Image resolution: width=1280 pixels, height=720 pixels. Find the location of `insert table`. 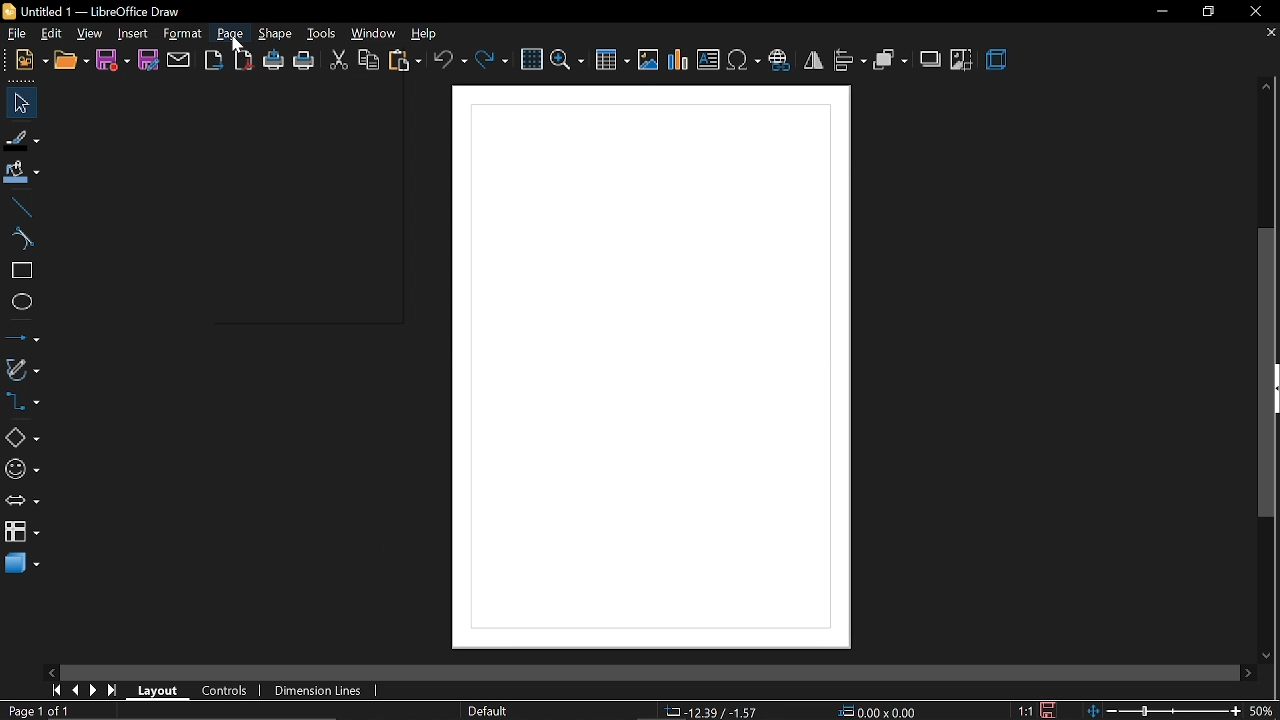

insert table is located at coordinates (611, 61).